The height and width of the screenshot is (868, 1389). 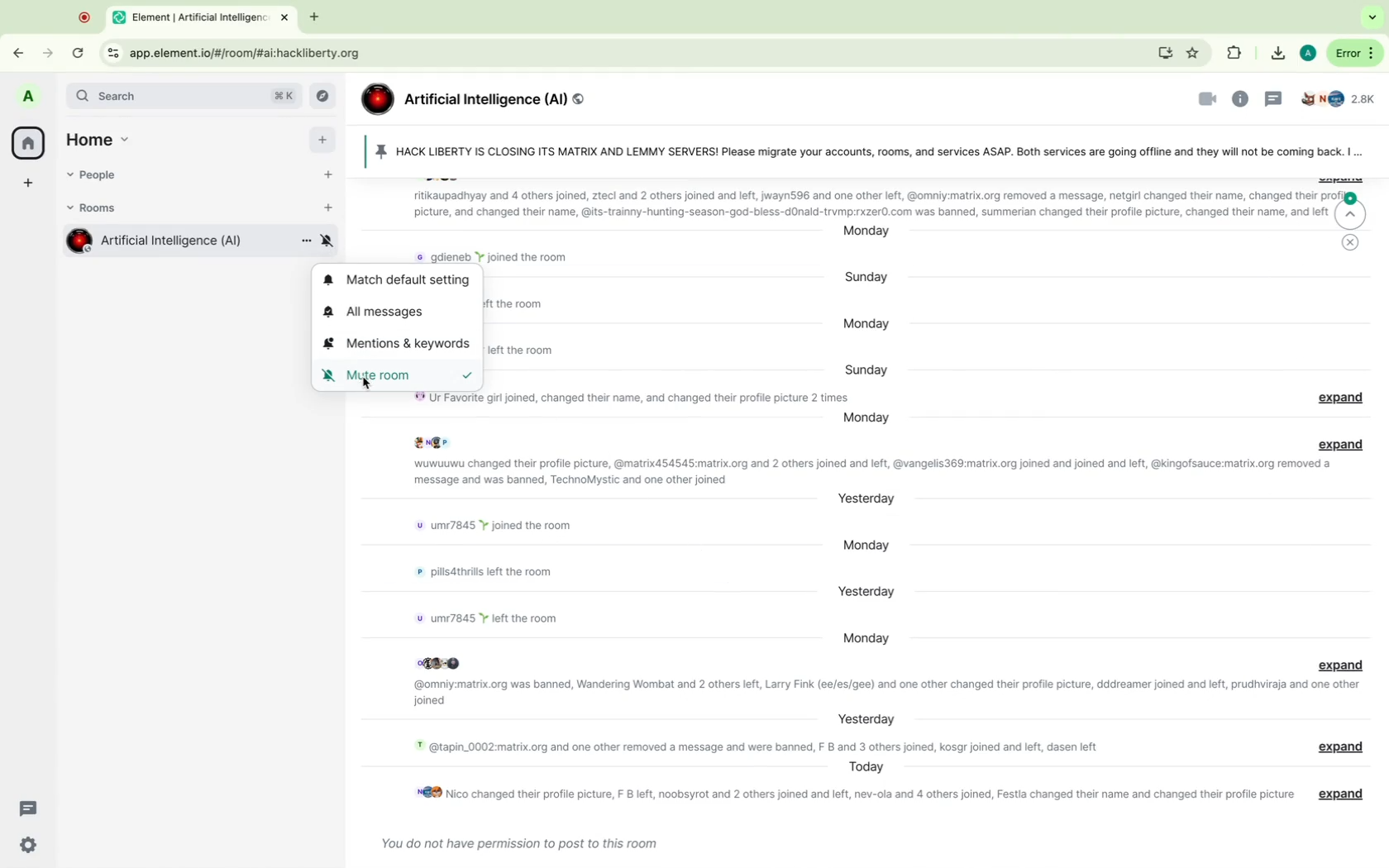 I want to click on pin, so click(x=860, y=150).